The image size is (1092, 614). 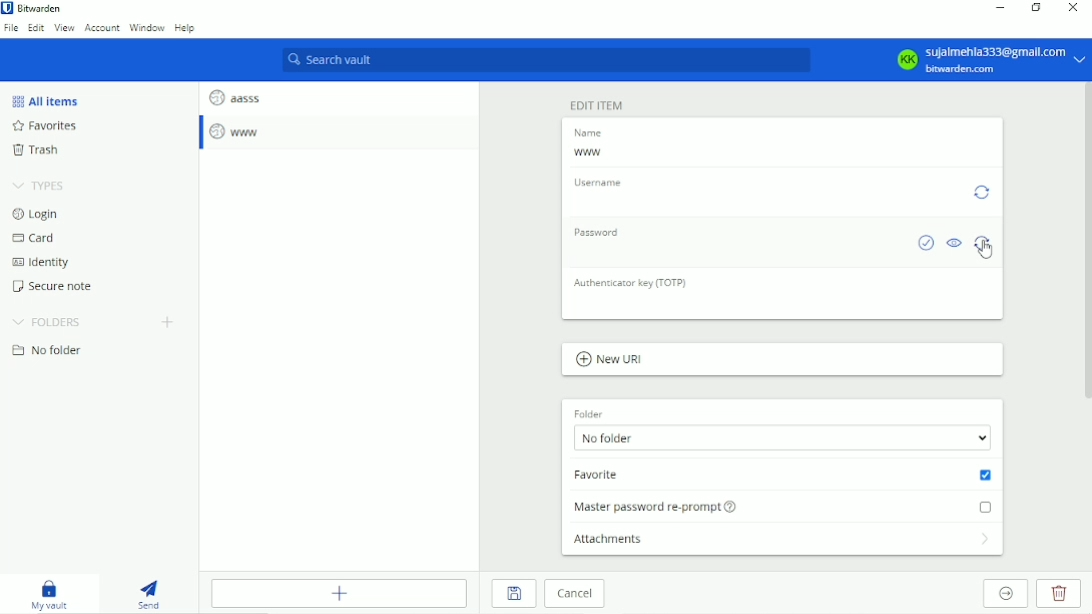 I want to click on Search vault, so click(x=547, y=61).